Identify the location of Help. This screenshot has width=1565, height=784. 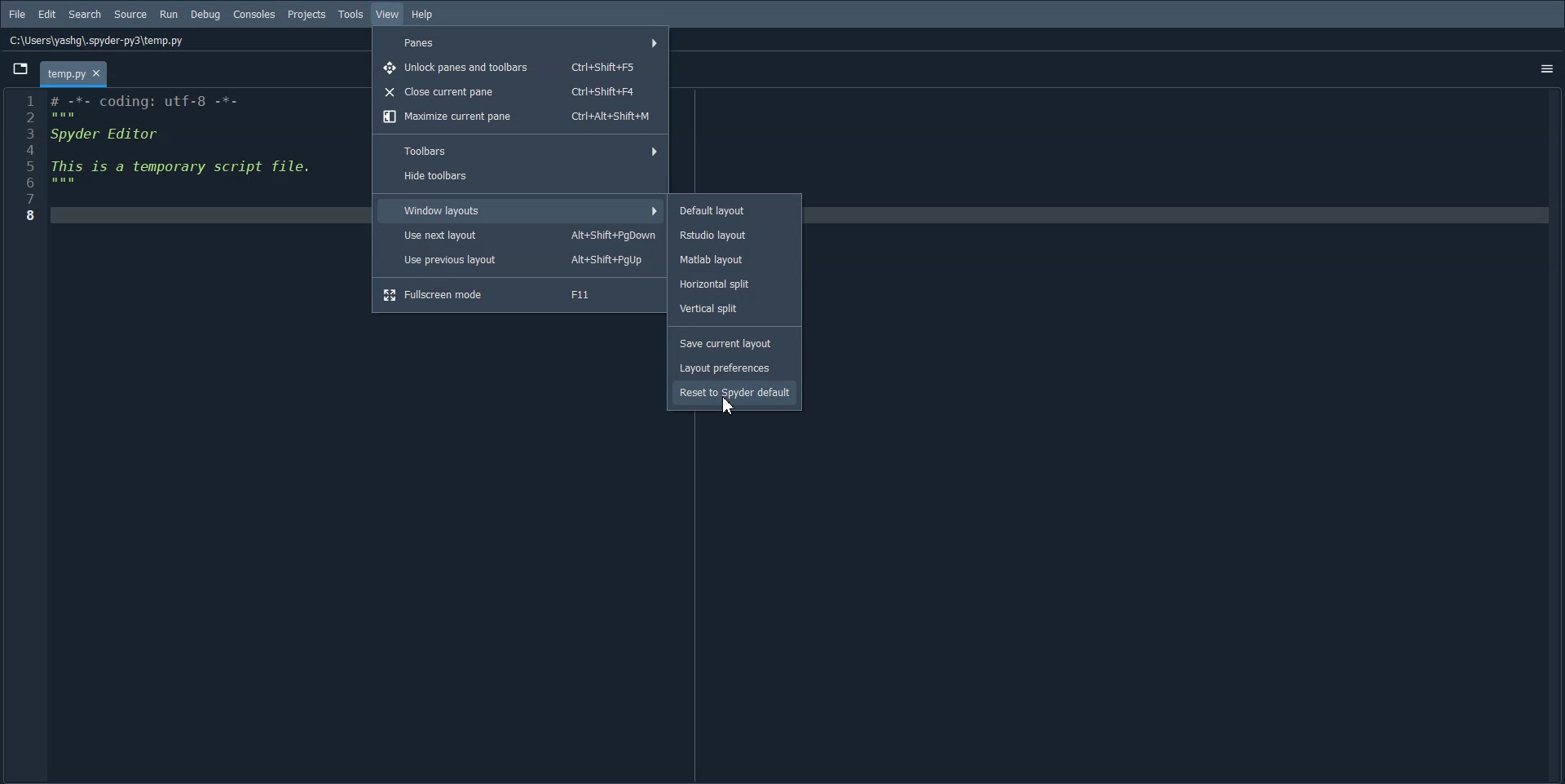
(424, 15).